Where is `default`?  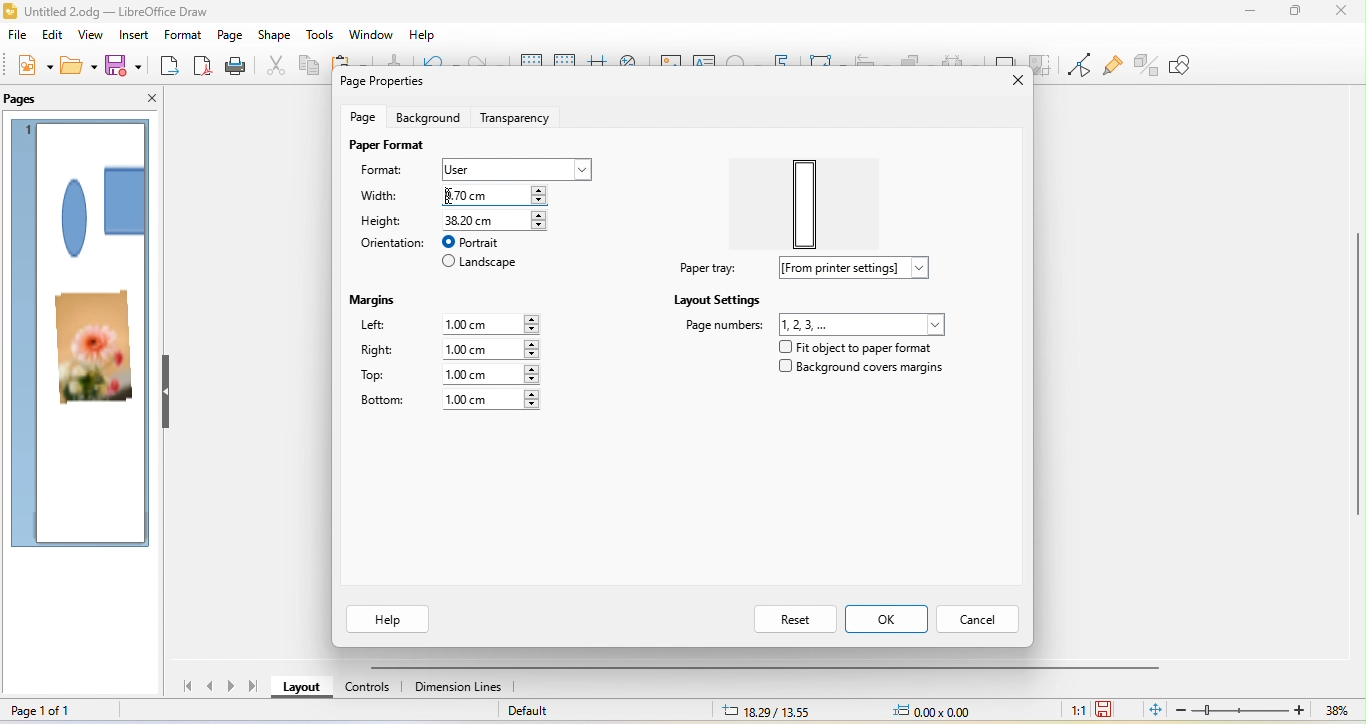 default is located at coordinates (582, 711).